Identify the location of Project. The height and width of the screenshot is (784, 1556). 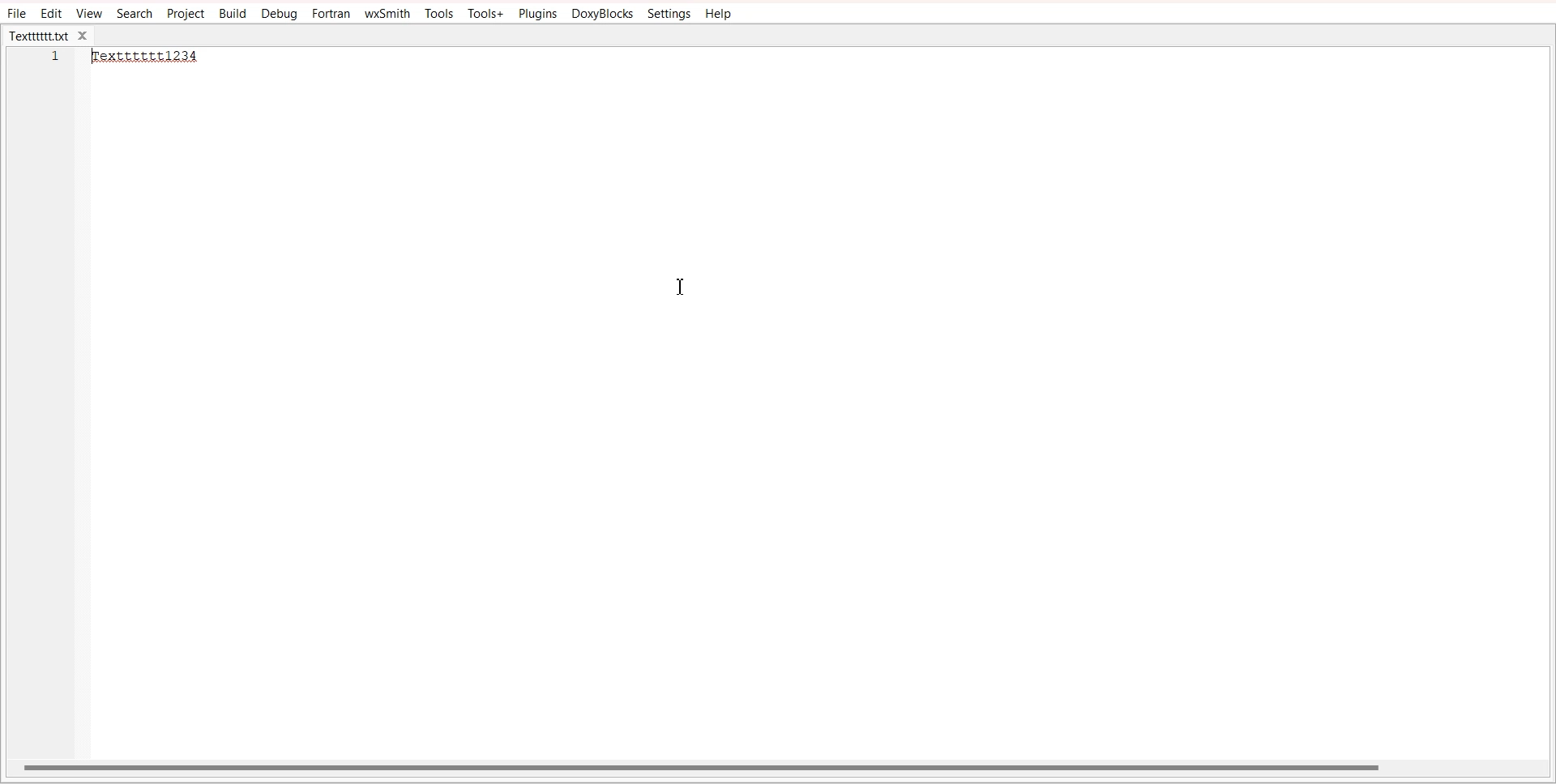
(186, 13).